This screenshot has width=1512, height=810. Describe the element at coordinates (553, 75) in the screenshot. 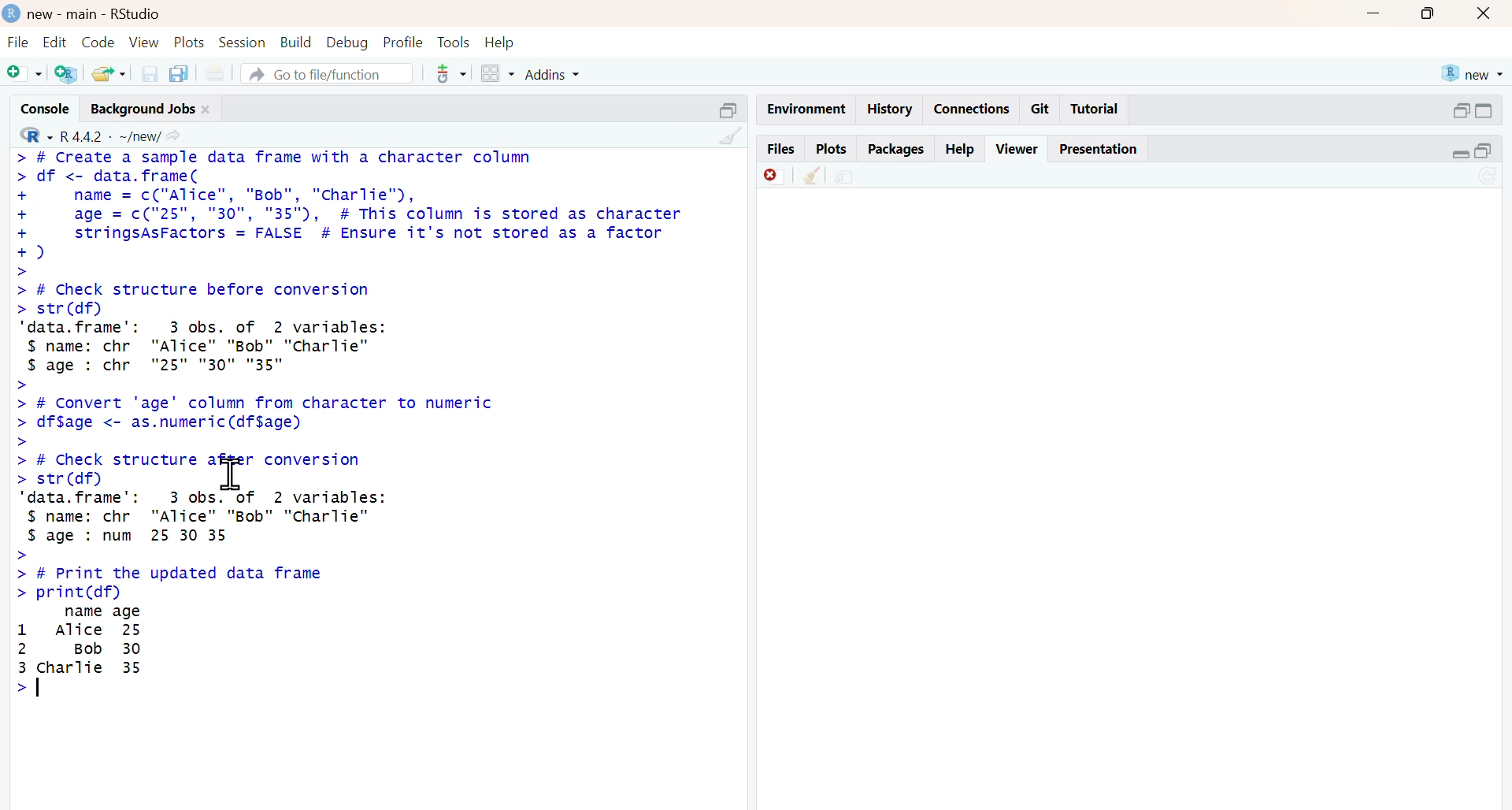

I see `addins` at that location.